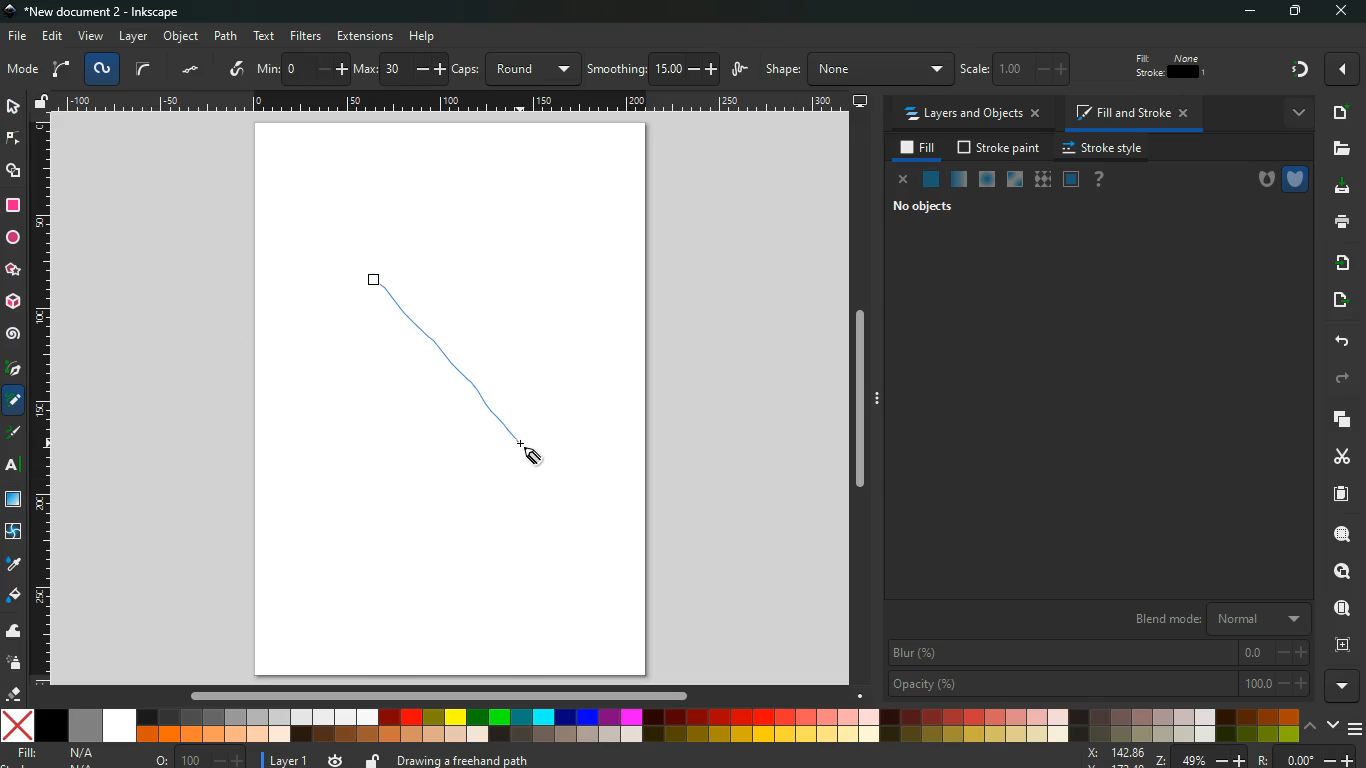  Describe the element at coordinates (855, 70) in the screenshot. I see `shape` at that location.